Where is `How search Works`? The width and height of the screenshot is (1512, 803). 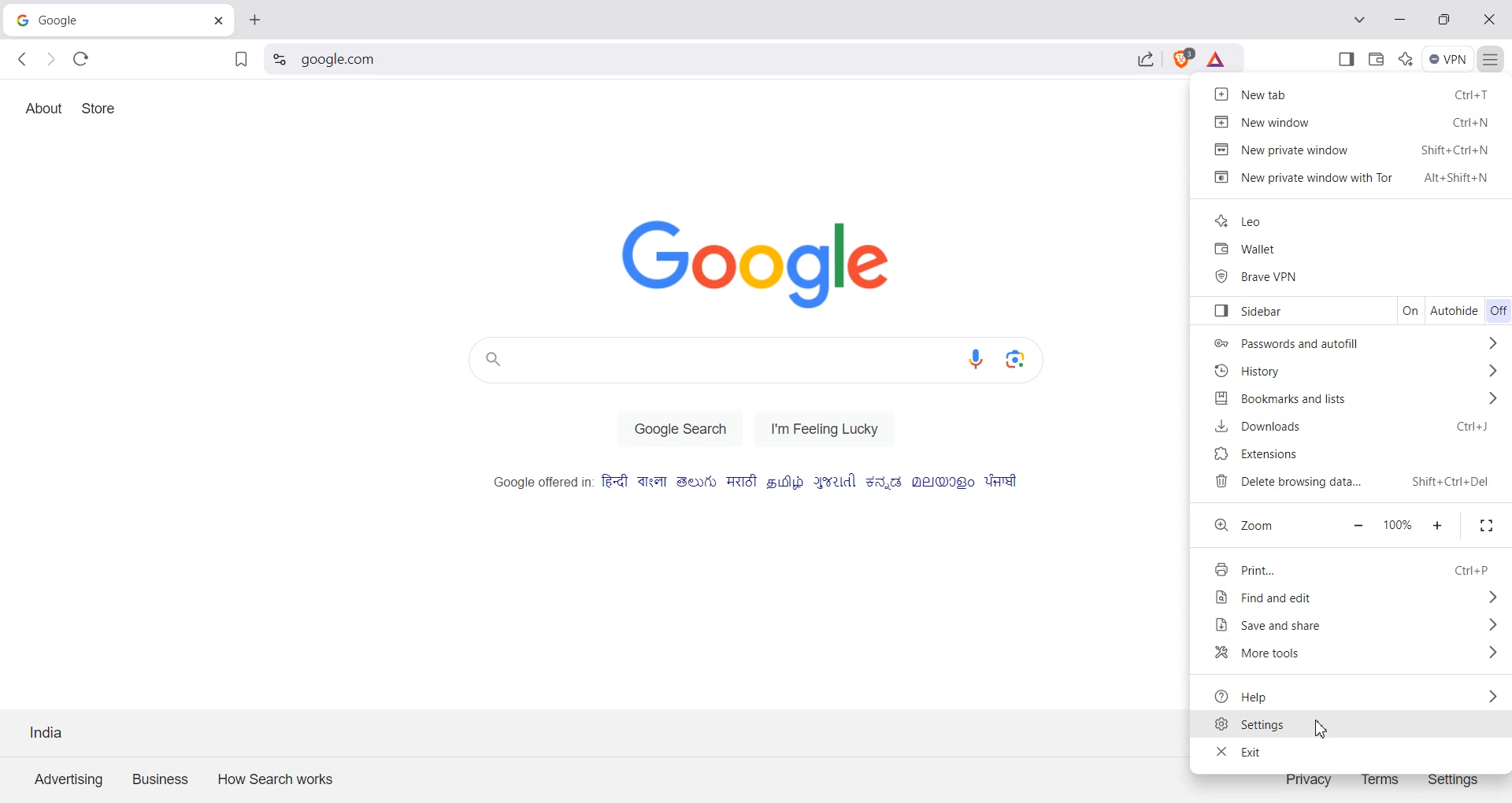 How search Works is located at coordinates (272, 776).